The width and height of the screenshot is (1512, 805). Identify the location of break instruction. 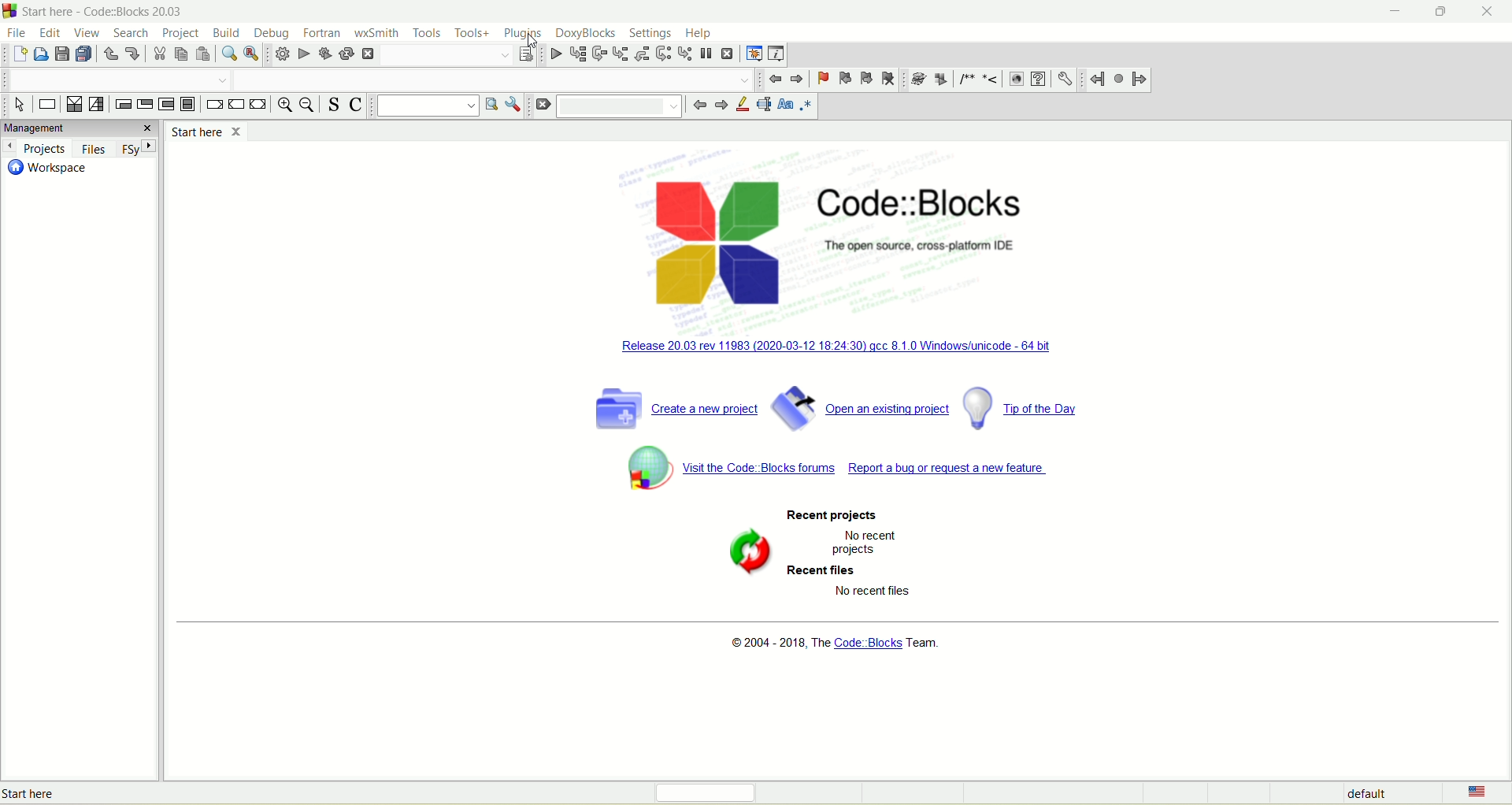
(213, 104).